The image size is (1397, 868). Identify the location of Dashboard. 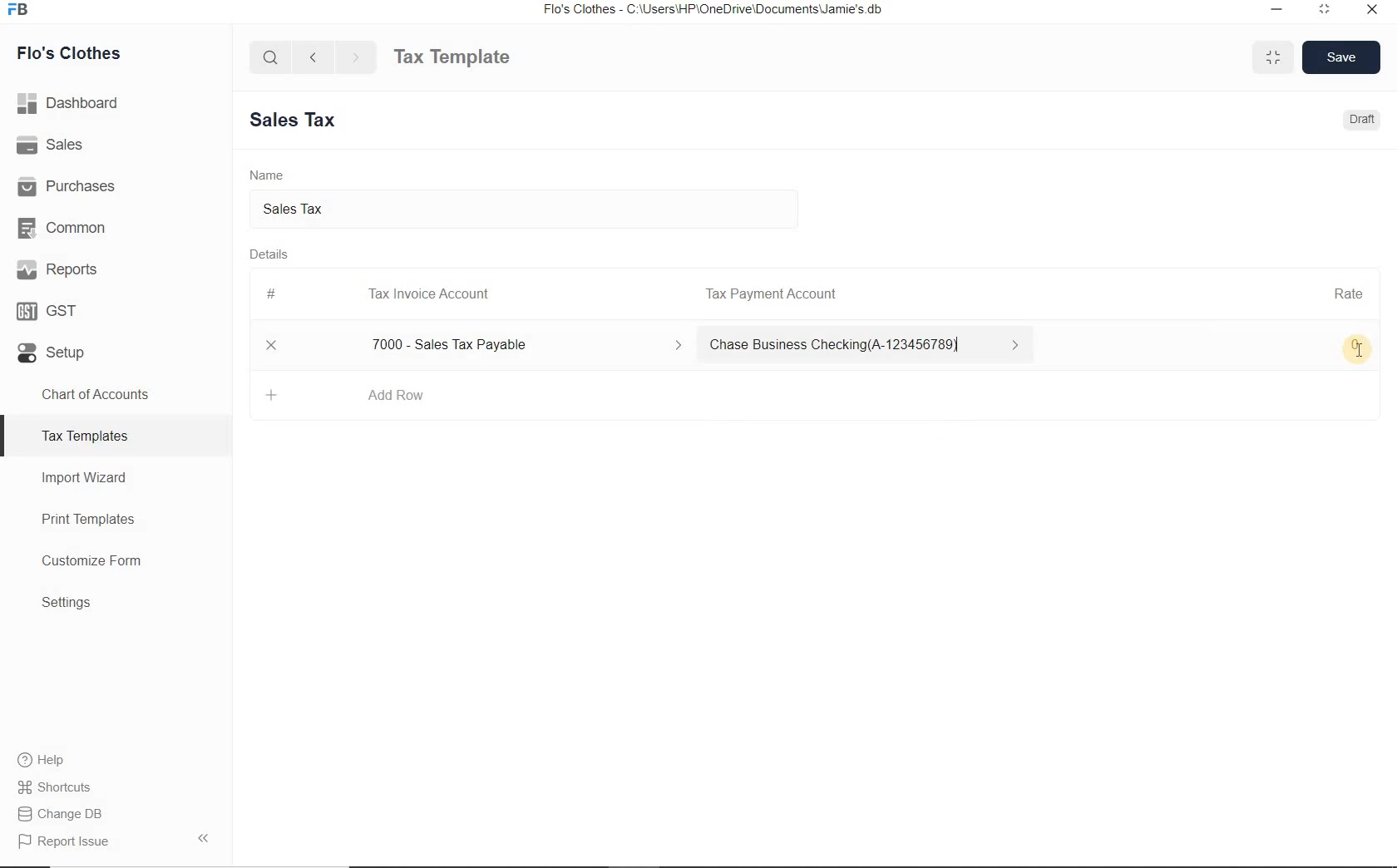
(116, 103).